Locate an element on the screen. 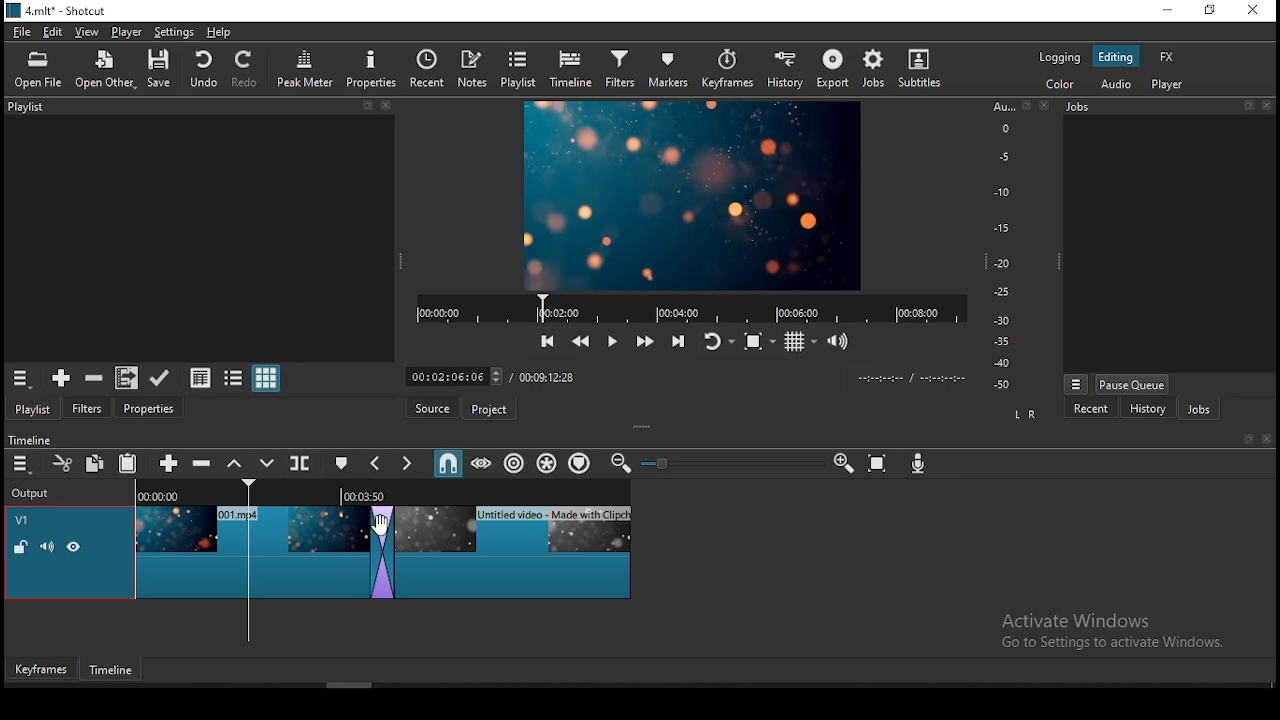 This screenshot has height=720, width=1280. minimize is located at coordinates (1170, 9).